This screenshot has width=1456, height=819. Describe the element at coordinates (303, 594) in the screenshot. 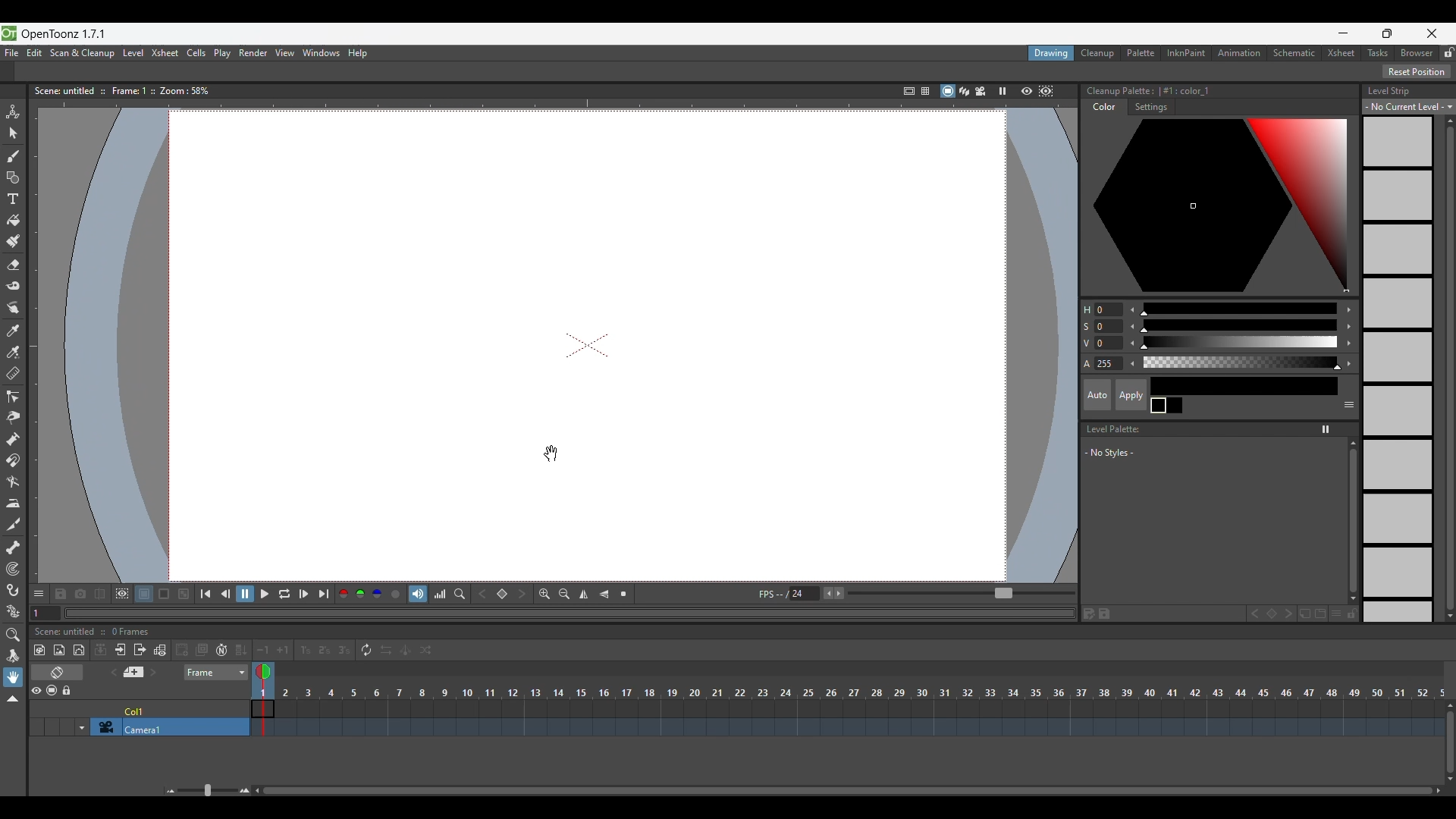

I see `Next frame` at that location.